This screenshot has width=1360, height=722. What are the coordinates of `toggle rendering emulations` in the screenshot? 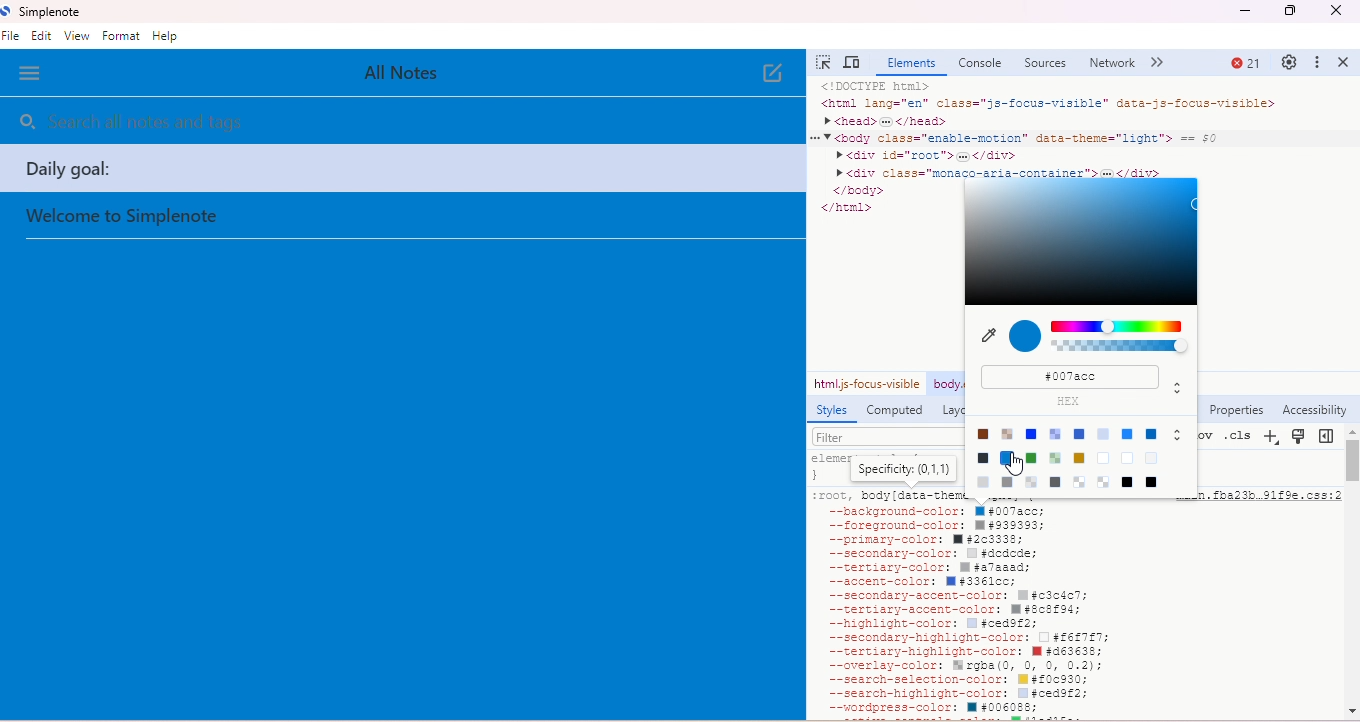 It's located at (1300, 438).